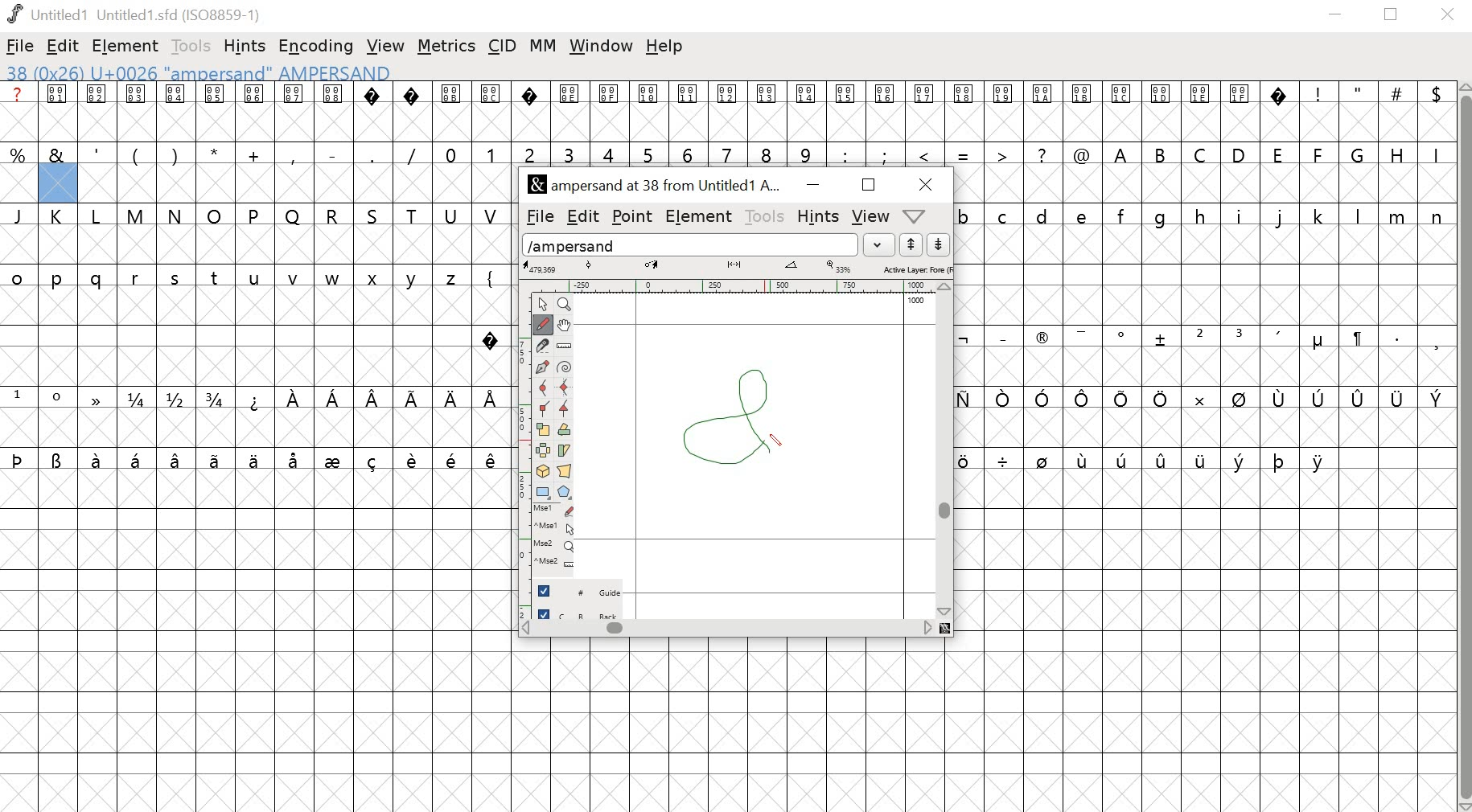  Describe the element at coordinates (566, 471) in the screenshot. I see `perspective transformation` at that location.